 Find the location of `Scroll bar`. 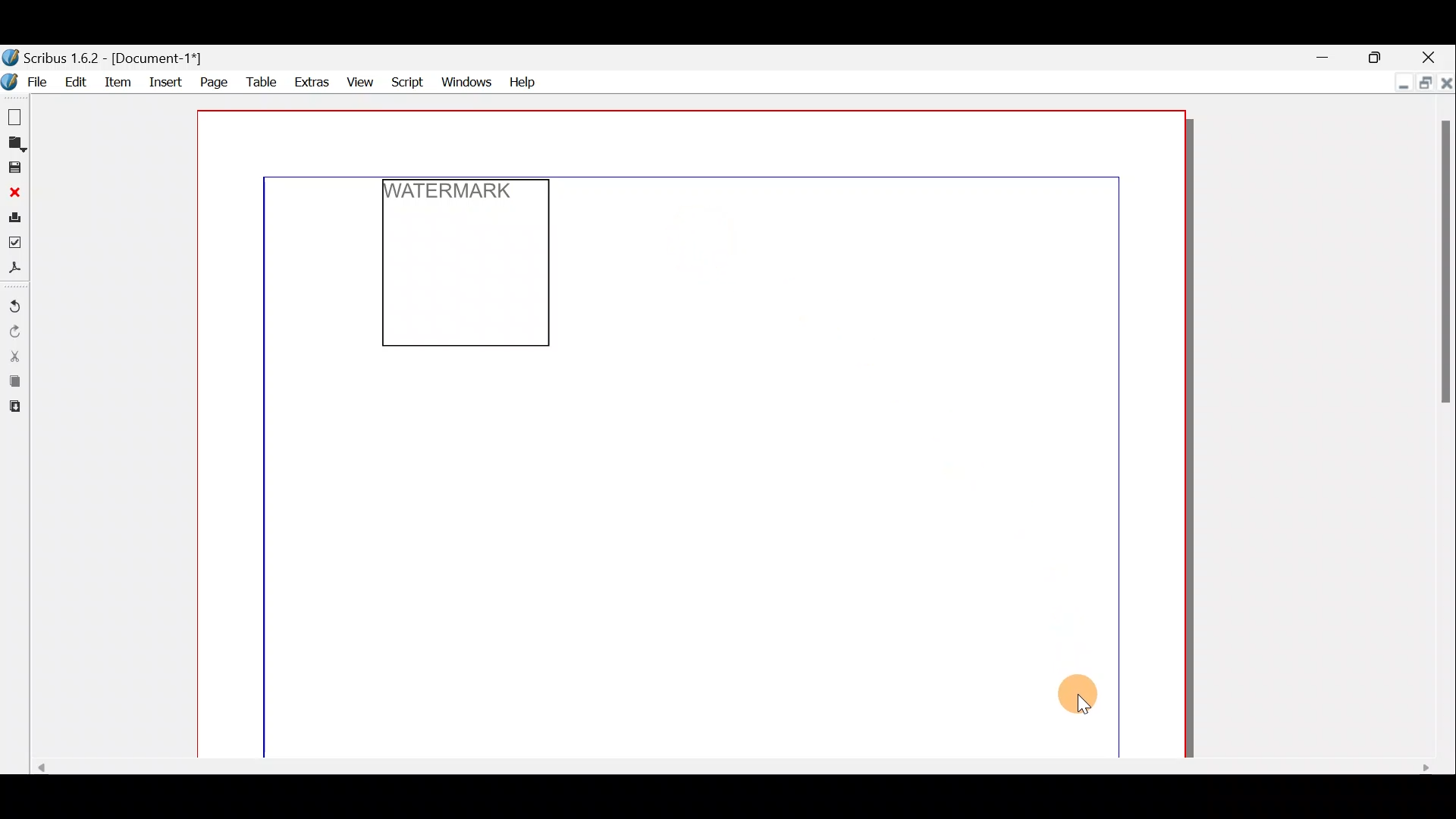

Scroll bar is located at coordinates (1445, 429).